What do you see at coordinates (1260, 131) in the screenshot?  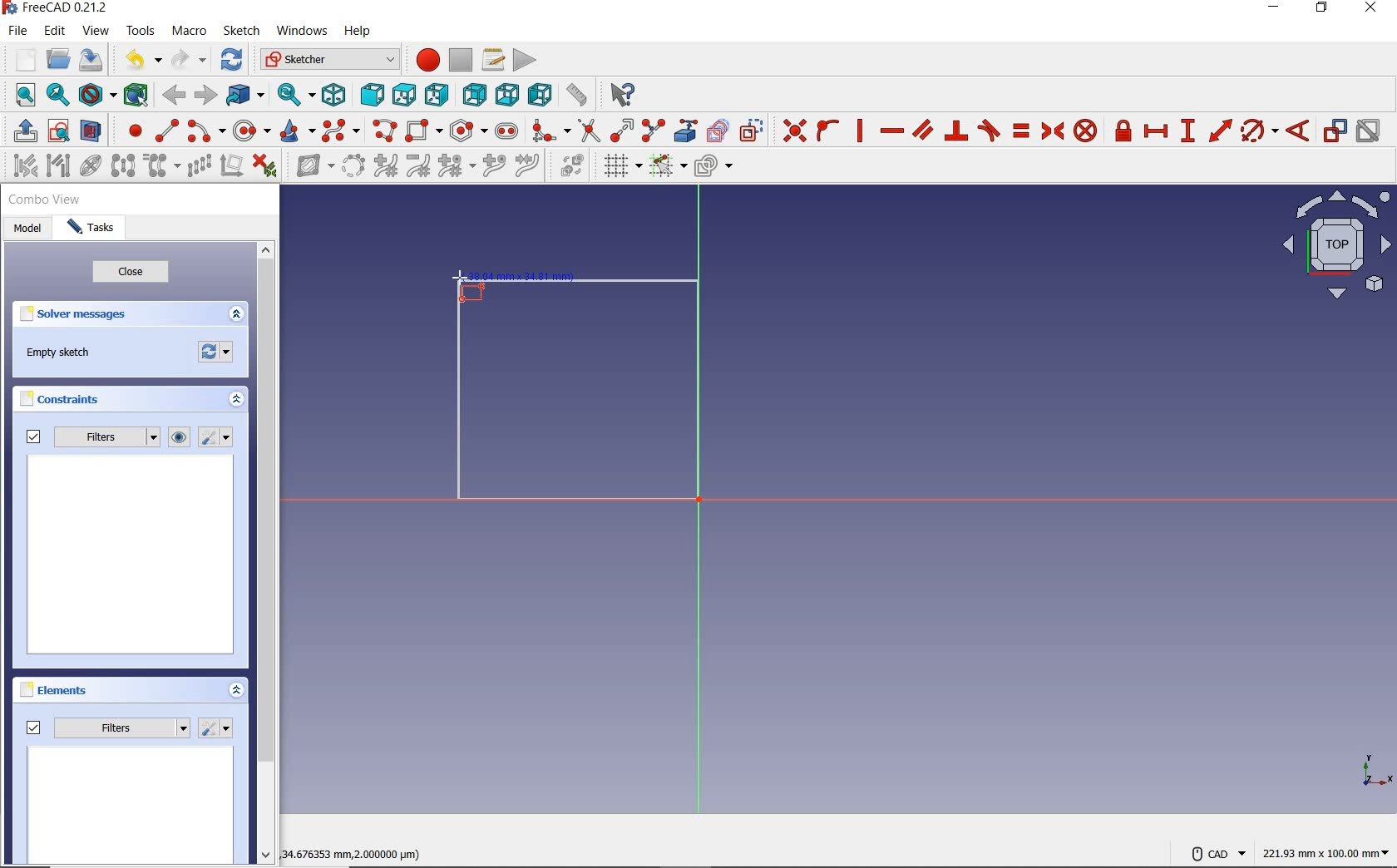 I see `constraint arc/circle` at bounding box center [1260, 131].